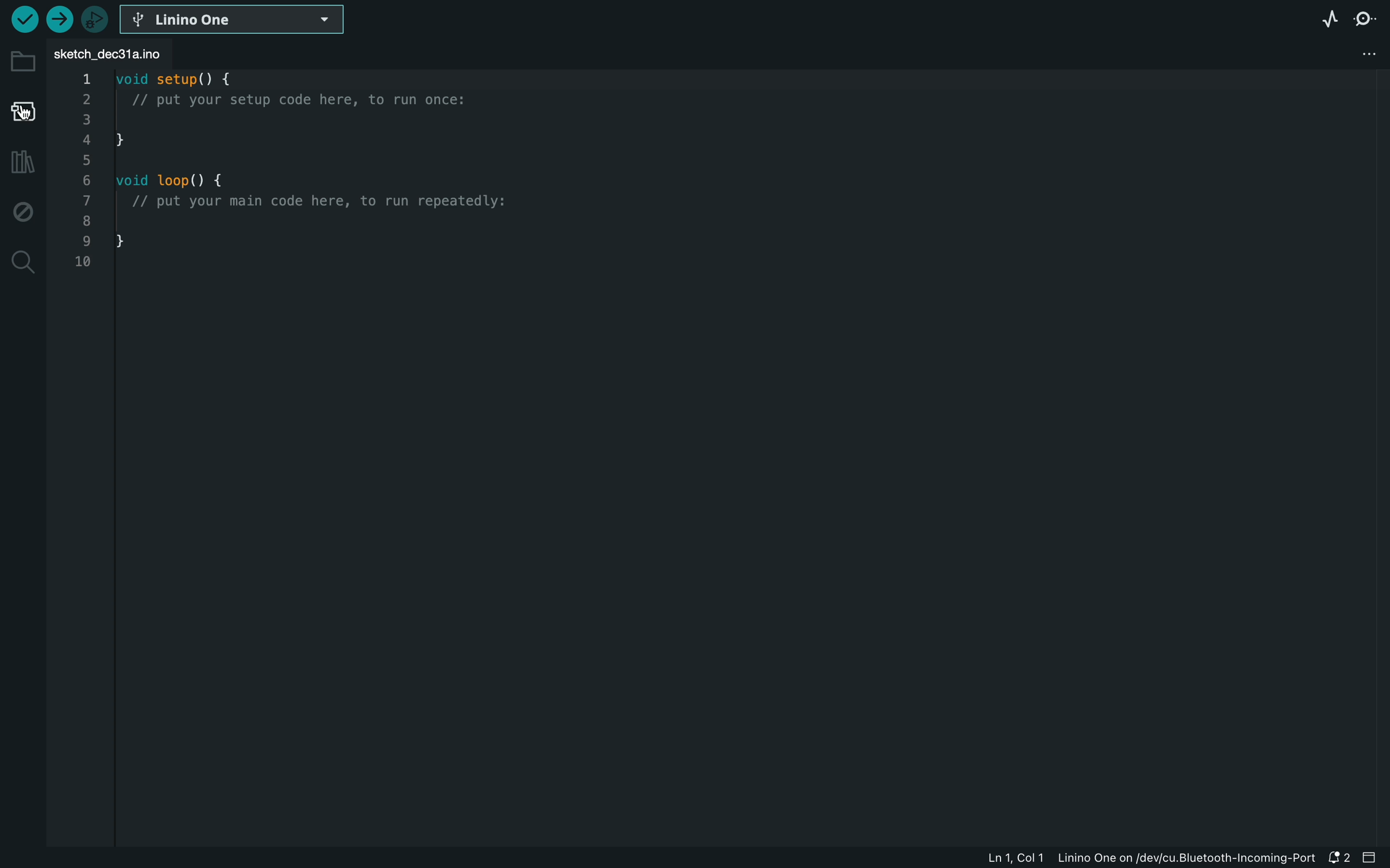  What do you see at coordinates (137, 52) in the screenshot?
I see `file tab` at bounding box center [137, 52].